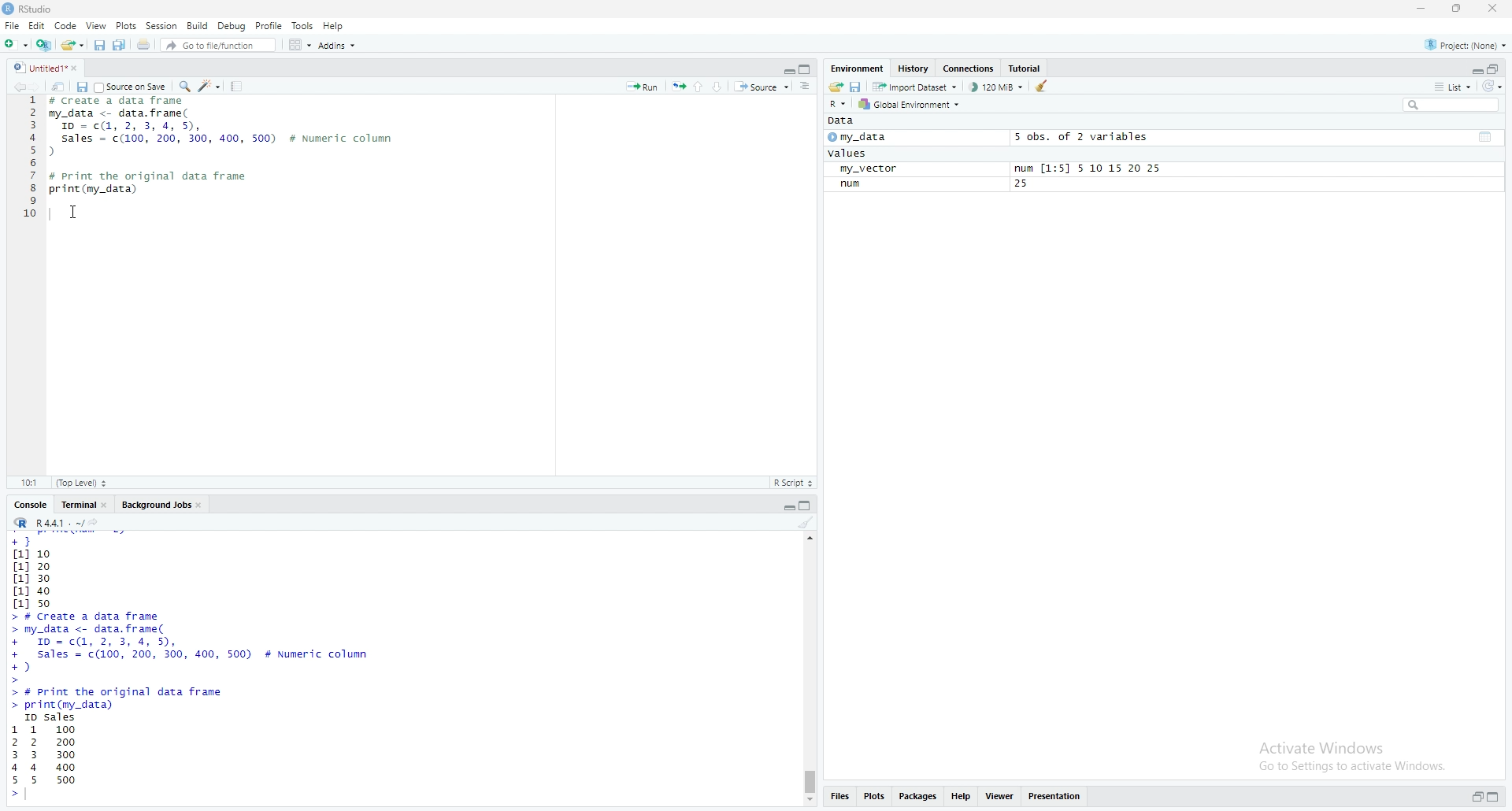 Image resolution: width=1512 pixels, height=811 pixels. What do you see at coordinates (10, 799) in the screenshot?
I see `prompt cursor` at bounding box center [10, 799].